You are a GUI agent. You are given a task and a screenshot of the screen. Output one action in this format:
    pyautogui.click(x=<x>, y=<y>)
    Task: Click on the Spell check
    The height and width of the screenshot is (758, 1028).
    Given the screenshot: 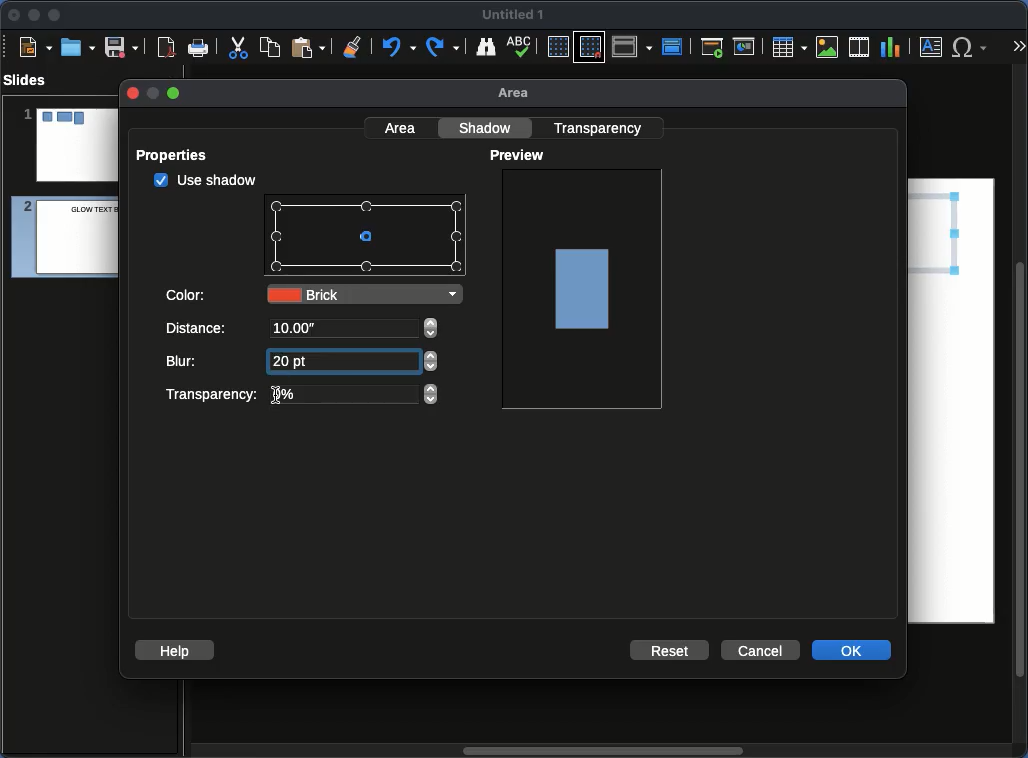 What is the action you would take?
    pyautogui.click(x=521, y=48)
    